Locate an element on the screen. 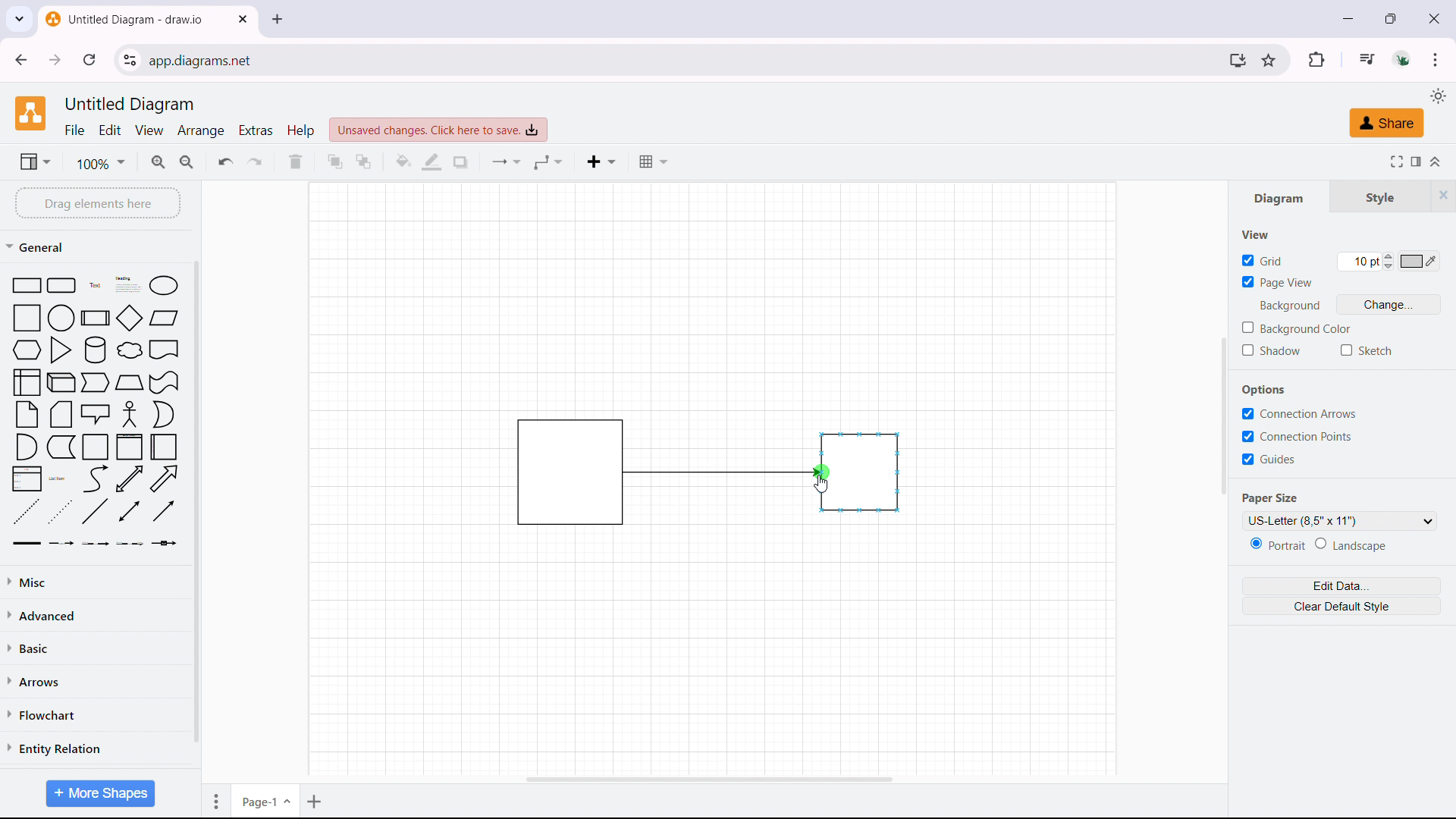 This screenshot has width=1456, height=819. URL space is located at coordinates (683, 59).